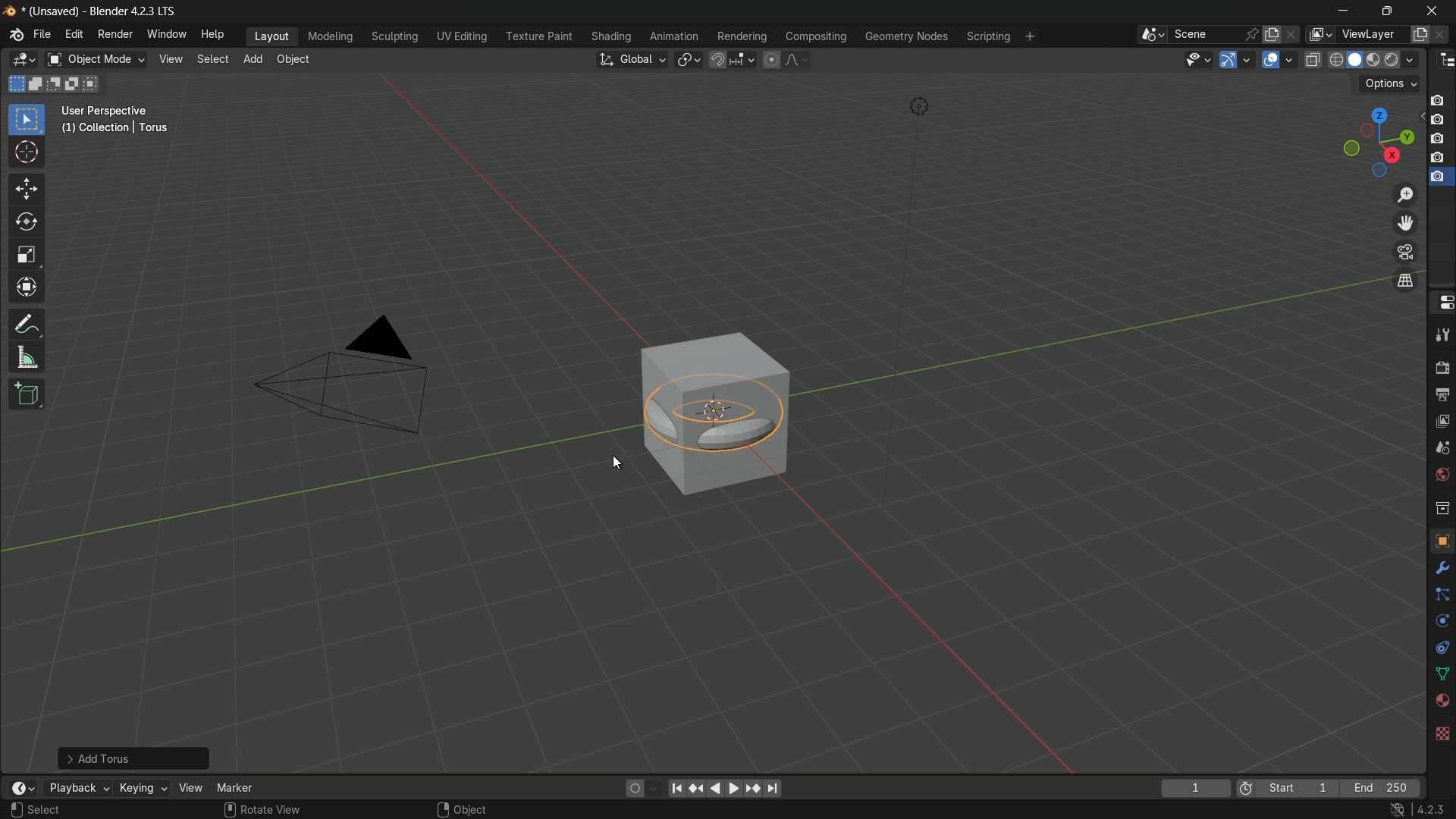  What do you see at coordinates (97, 12) in the screenshot?
I see `(Unsaved) - Blender 4.2.3 LTS` at bounding box center [97, 12].